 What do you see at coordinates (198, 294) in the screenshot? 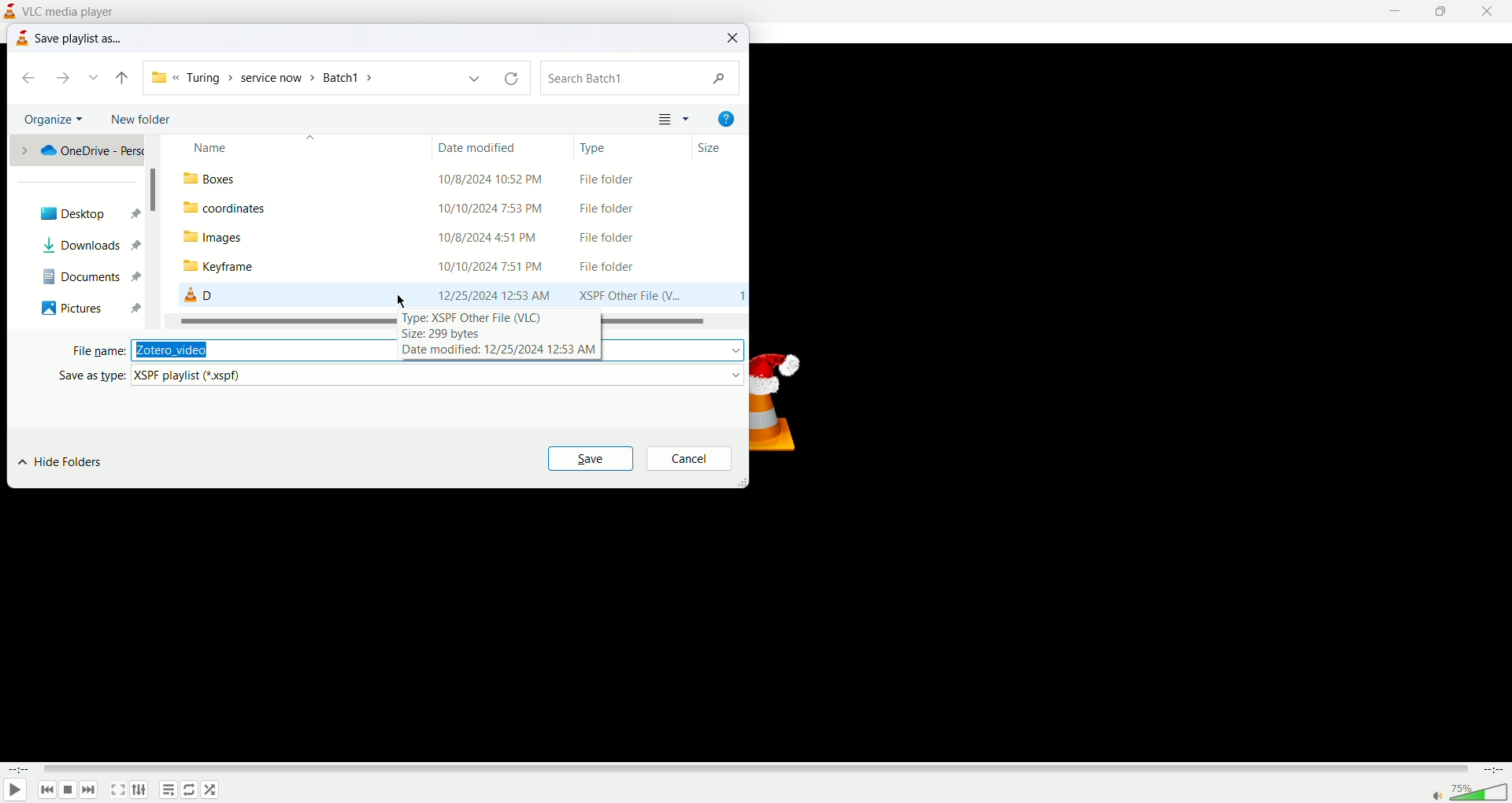
I see `D` at bounding box center [198, 294].